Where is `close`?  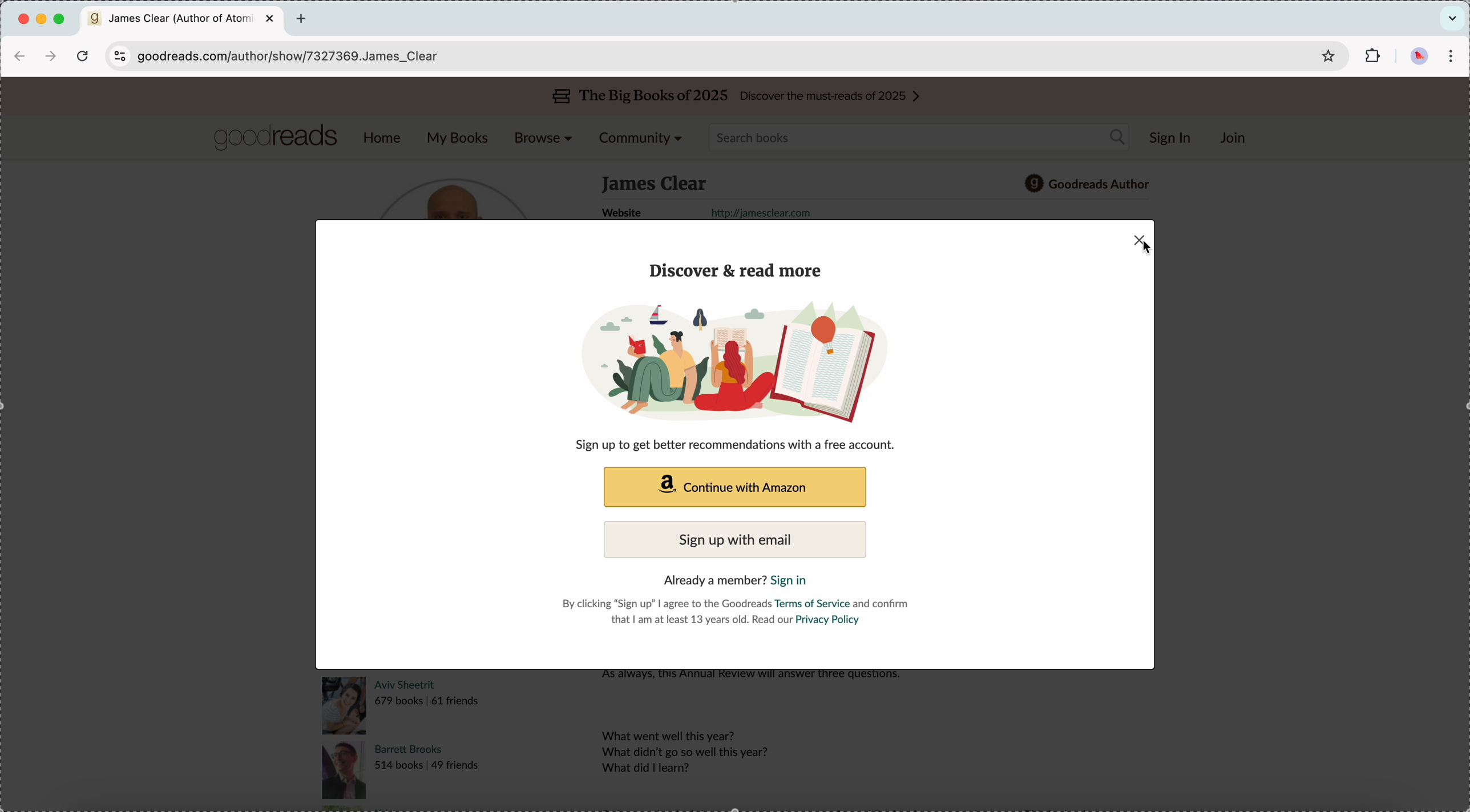 close is located at coordinates (1140, 243).